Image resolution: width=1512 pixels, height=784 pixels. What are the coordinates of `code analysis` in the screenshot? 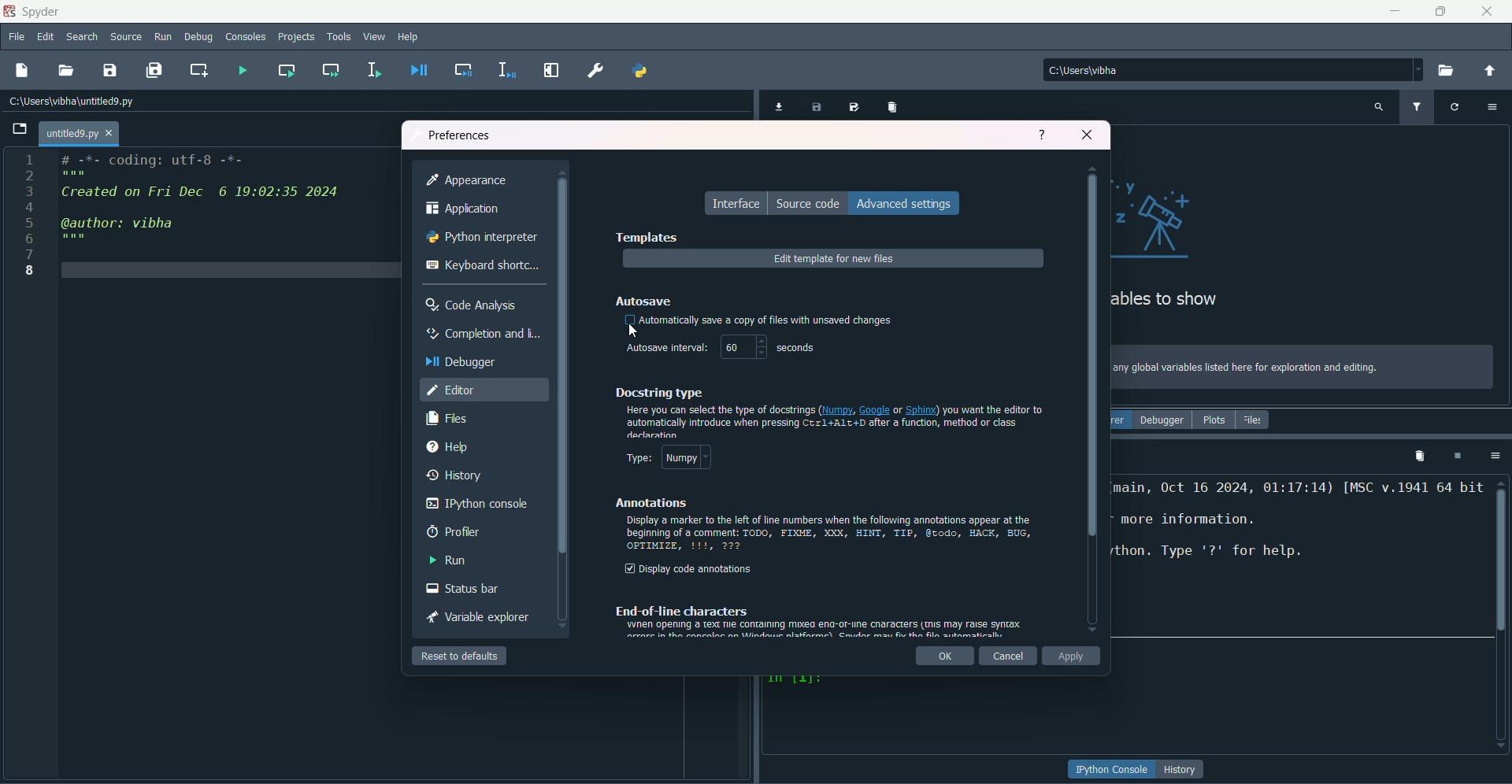 It's located at (475, 305).